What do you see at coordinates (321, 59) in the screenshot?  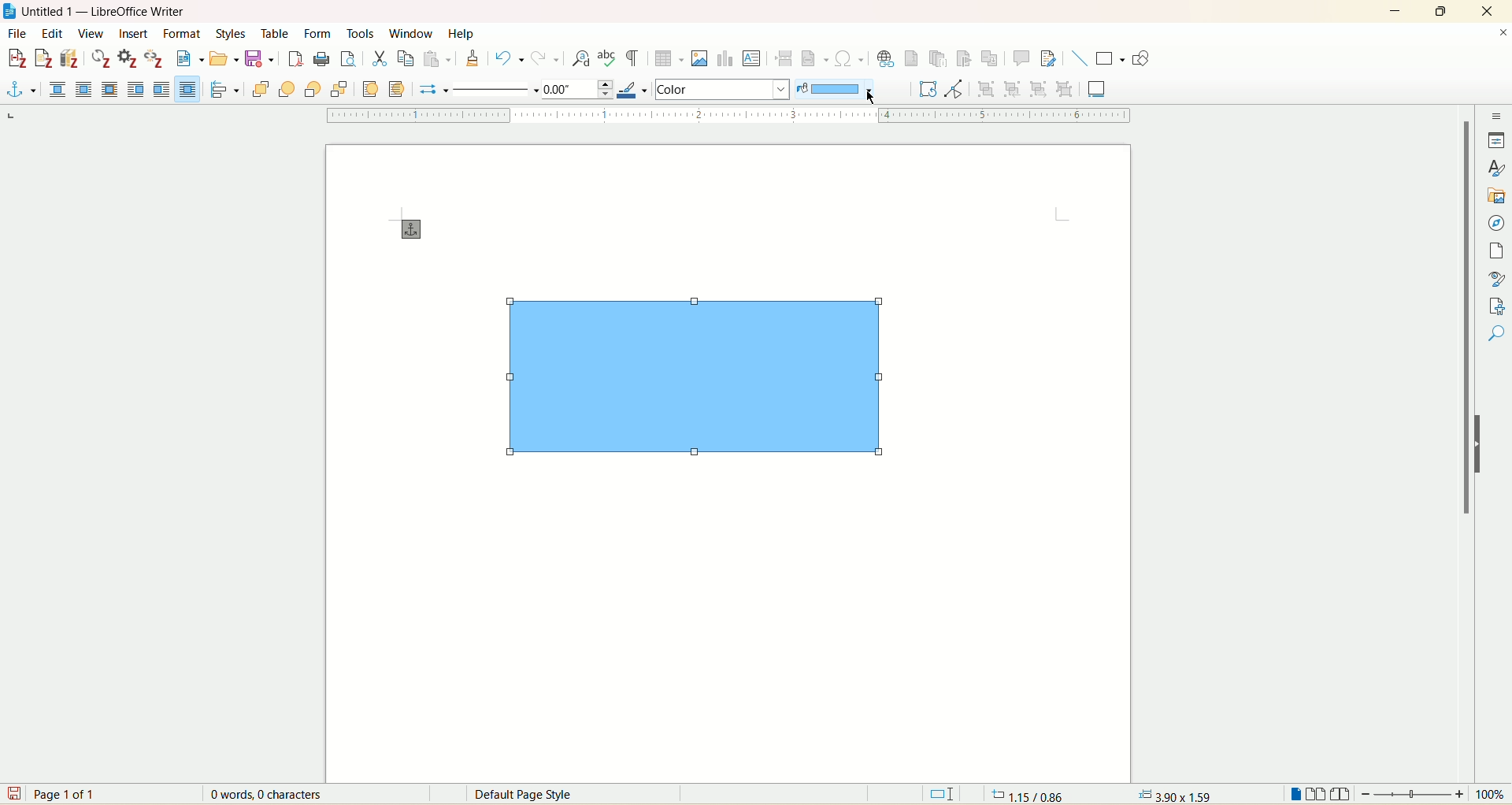 I see `print` at bounding box center [321, 59].